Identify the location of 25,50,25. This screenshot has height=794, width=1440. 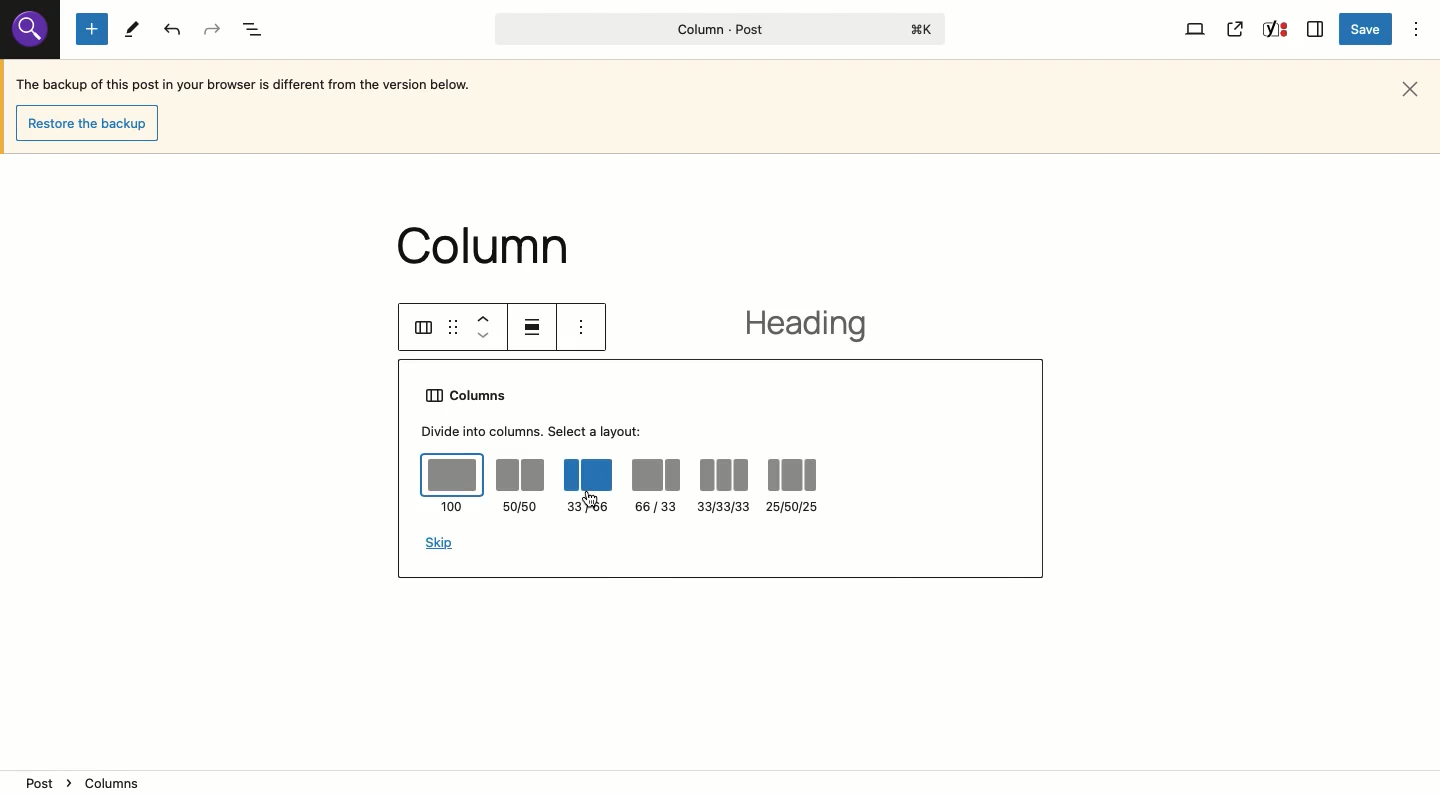
(796, 485).